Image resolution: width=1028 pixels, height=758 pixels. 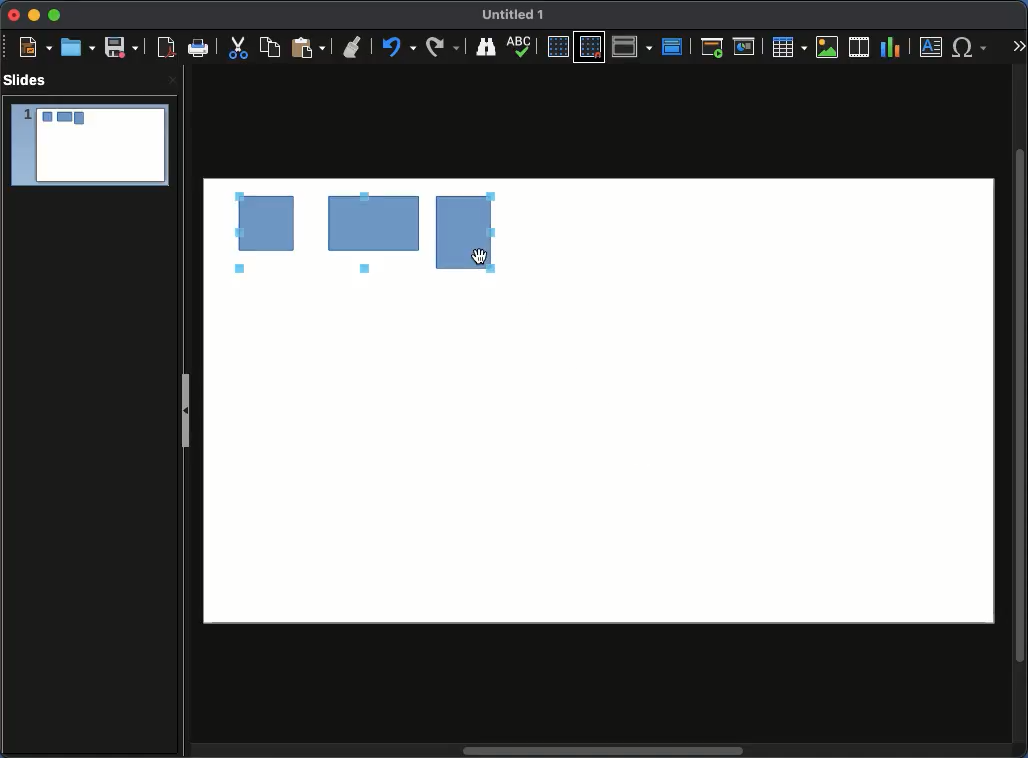 I want to click on Spelling, so click(x=485, y=47).